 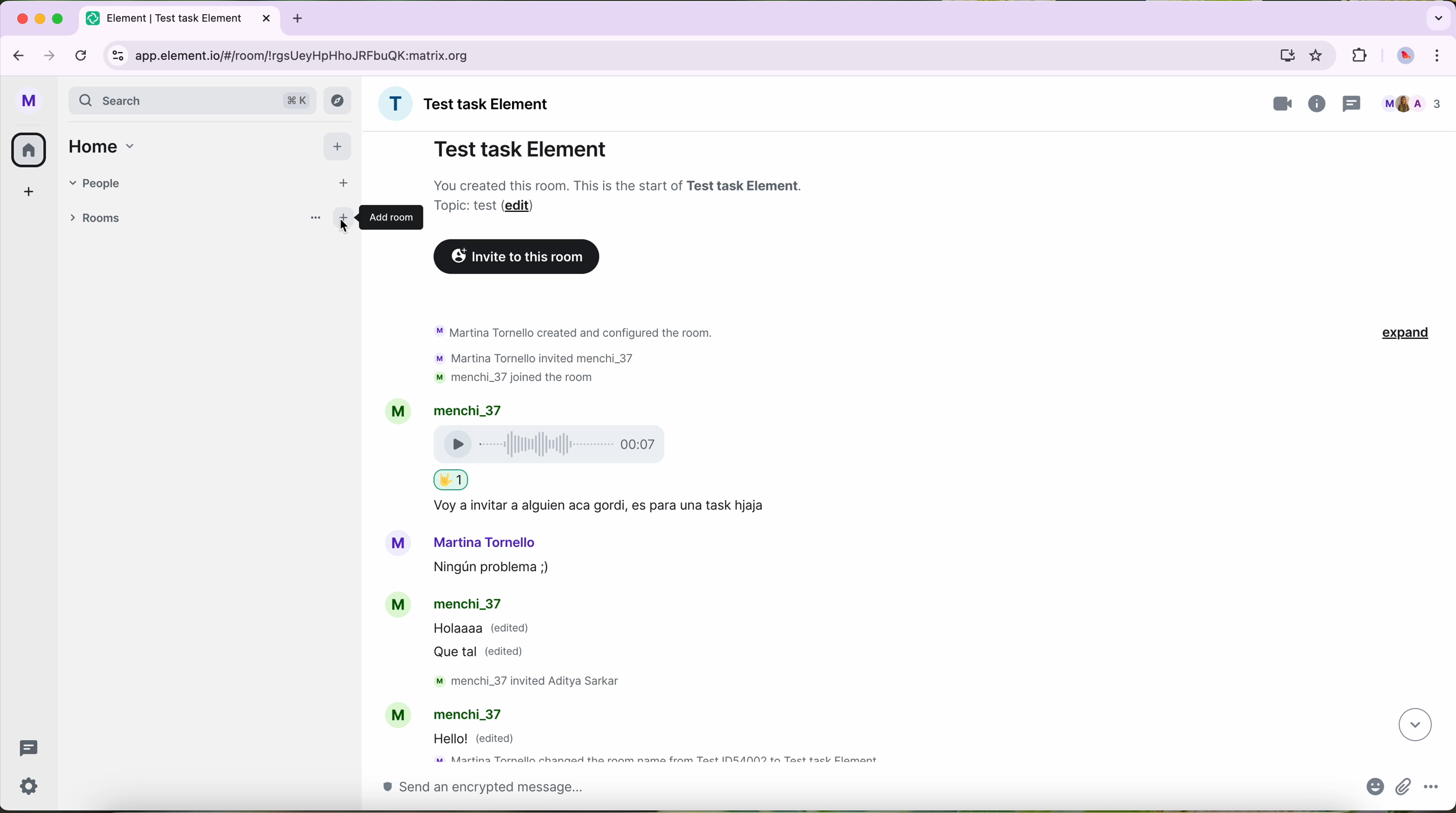 What do you see at coordinates (521, 149) in the screenshot?
I see `Test task Element` at bounding box center [521, 149].